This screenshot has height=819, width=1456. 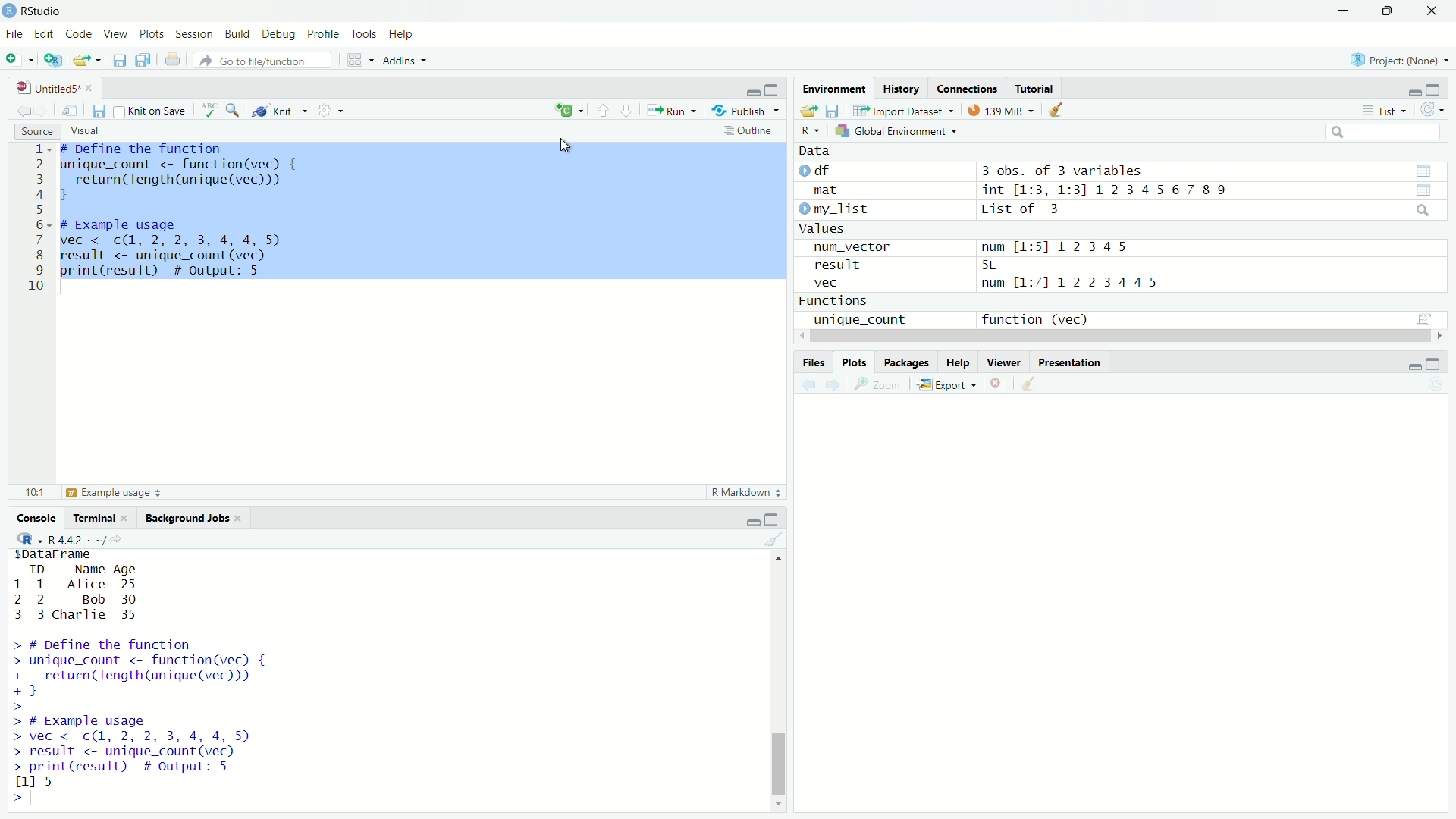 What do you see at coordinates (38, 517) in the screenshot?
I see `Console` at bounding box center [38, 517].